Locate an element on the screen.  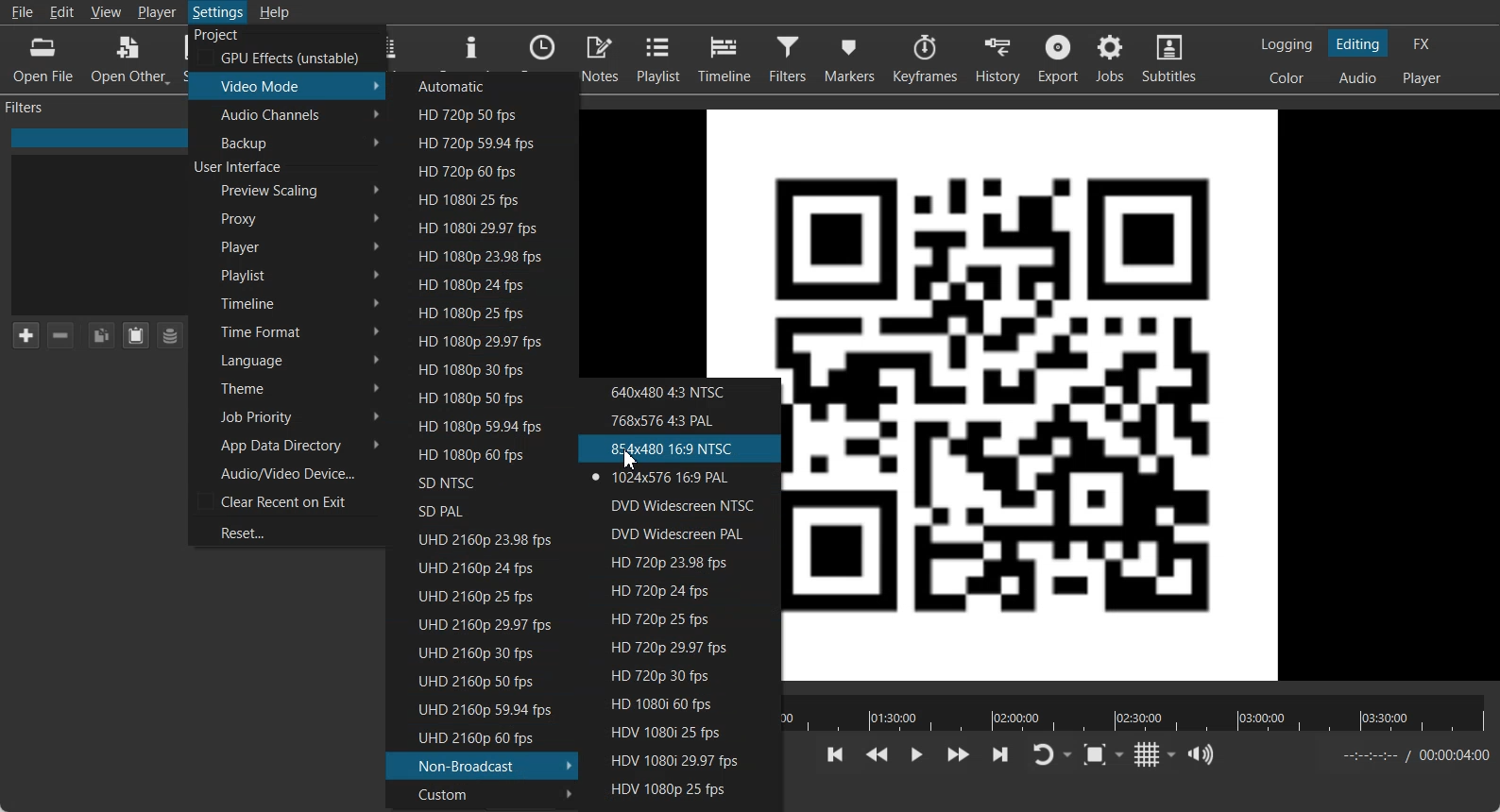
File preview window is located at coordinates (1151, 394).